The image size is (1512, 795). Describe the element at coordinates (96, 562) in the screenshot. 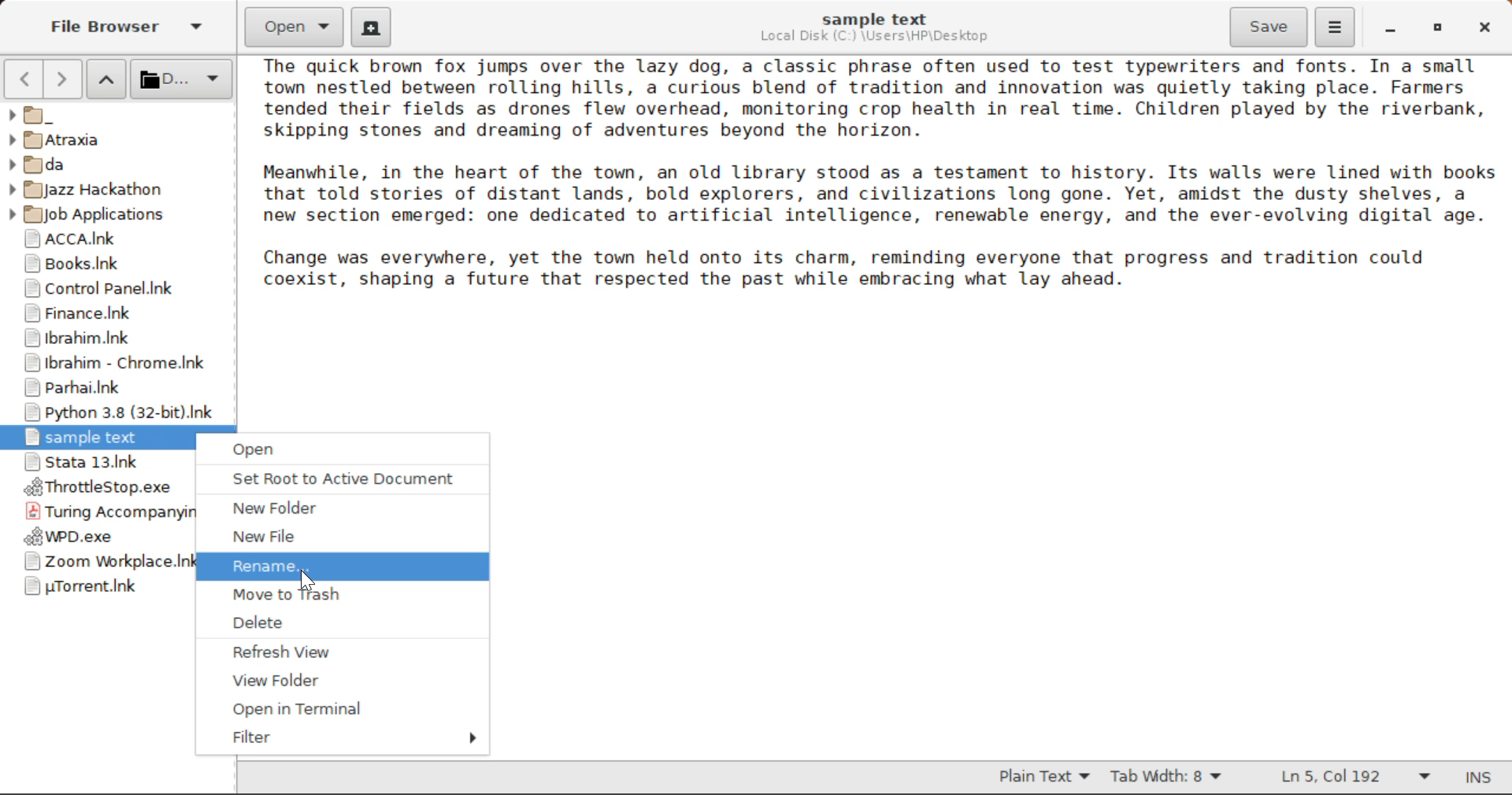

I see `Zoom Application ` at that location.